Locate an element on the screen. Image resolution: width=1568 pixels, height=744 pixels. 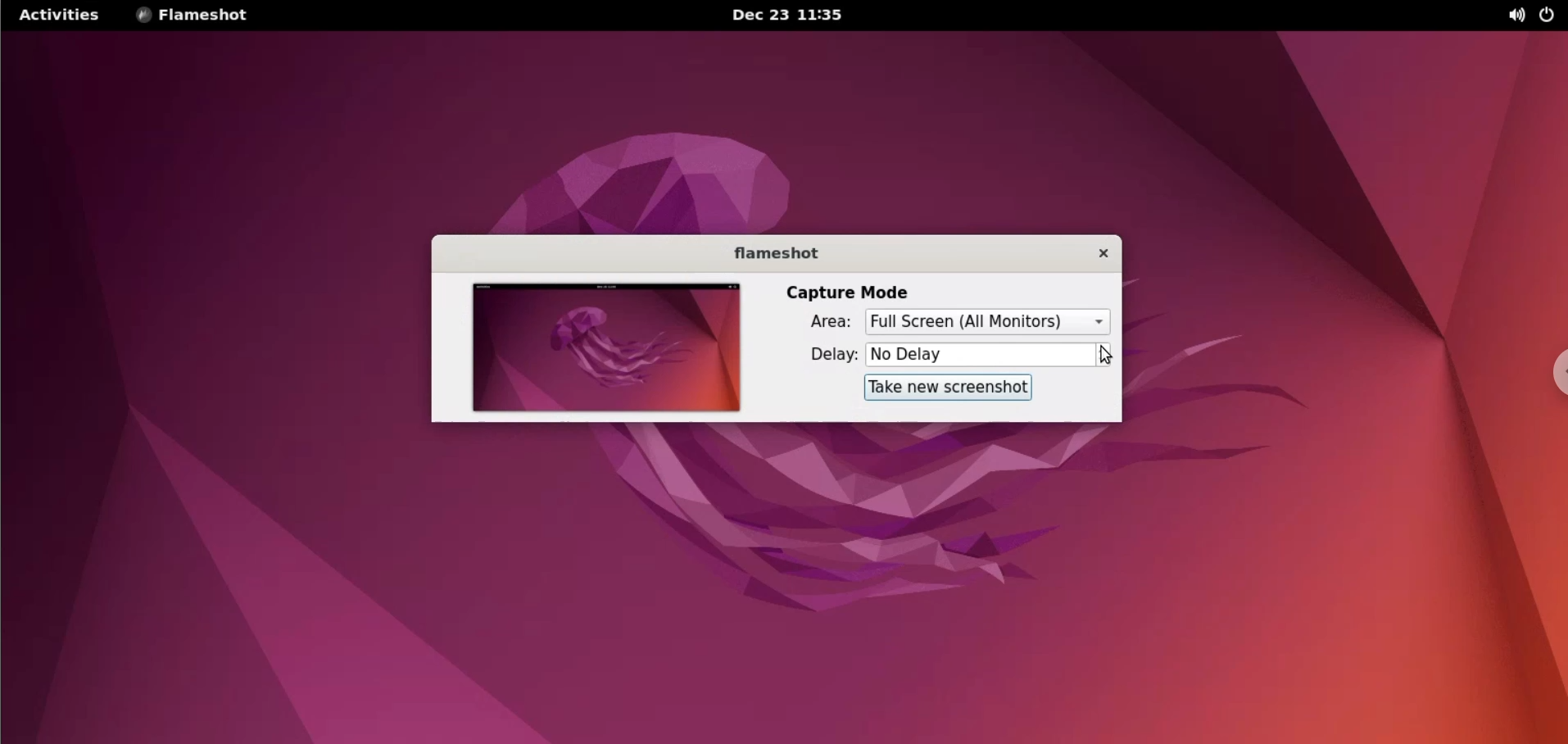
sound is located at coordinates (1515, 16).